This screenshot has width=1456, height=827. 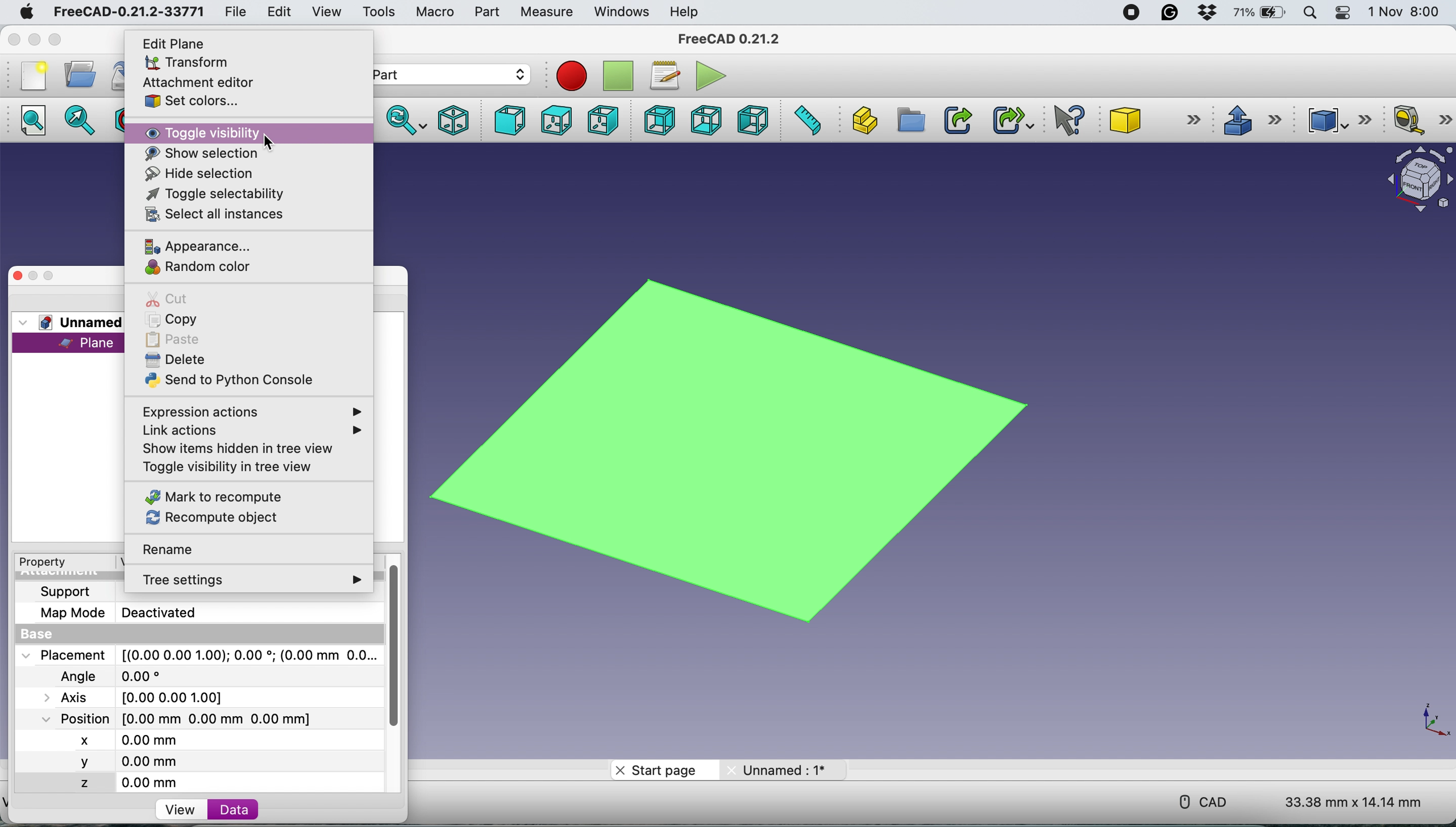 What do you see at coordinates (256, 581) in the screenshot?
I see `tree settings` at bounding box center [256, 581].